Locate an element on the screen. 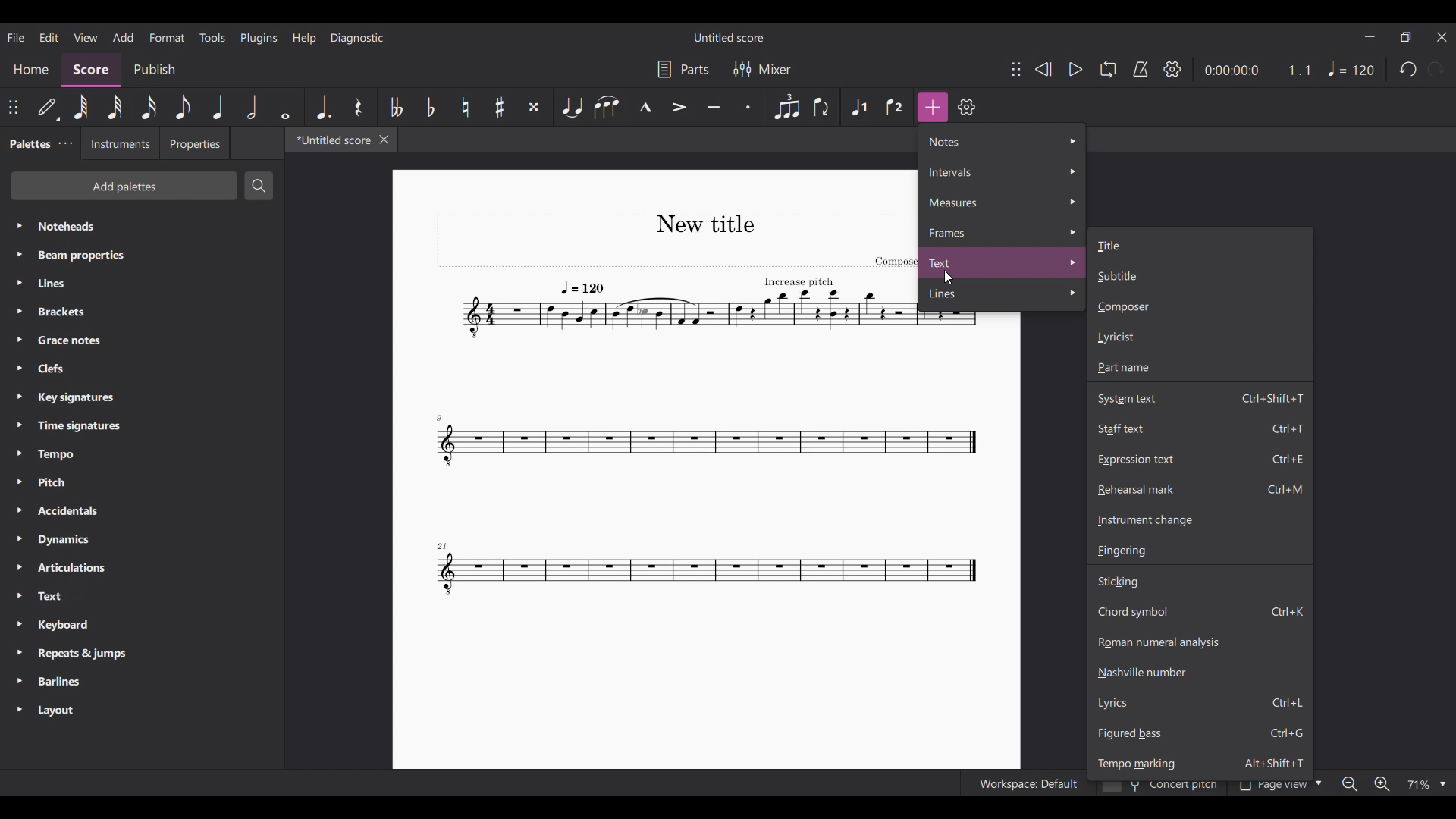  Properties is located at coordinates (194, 143).